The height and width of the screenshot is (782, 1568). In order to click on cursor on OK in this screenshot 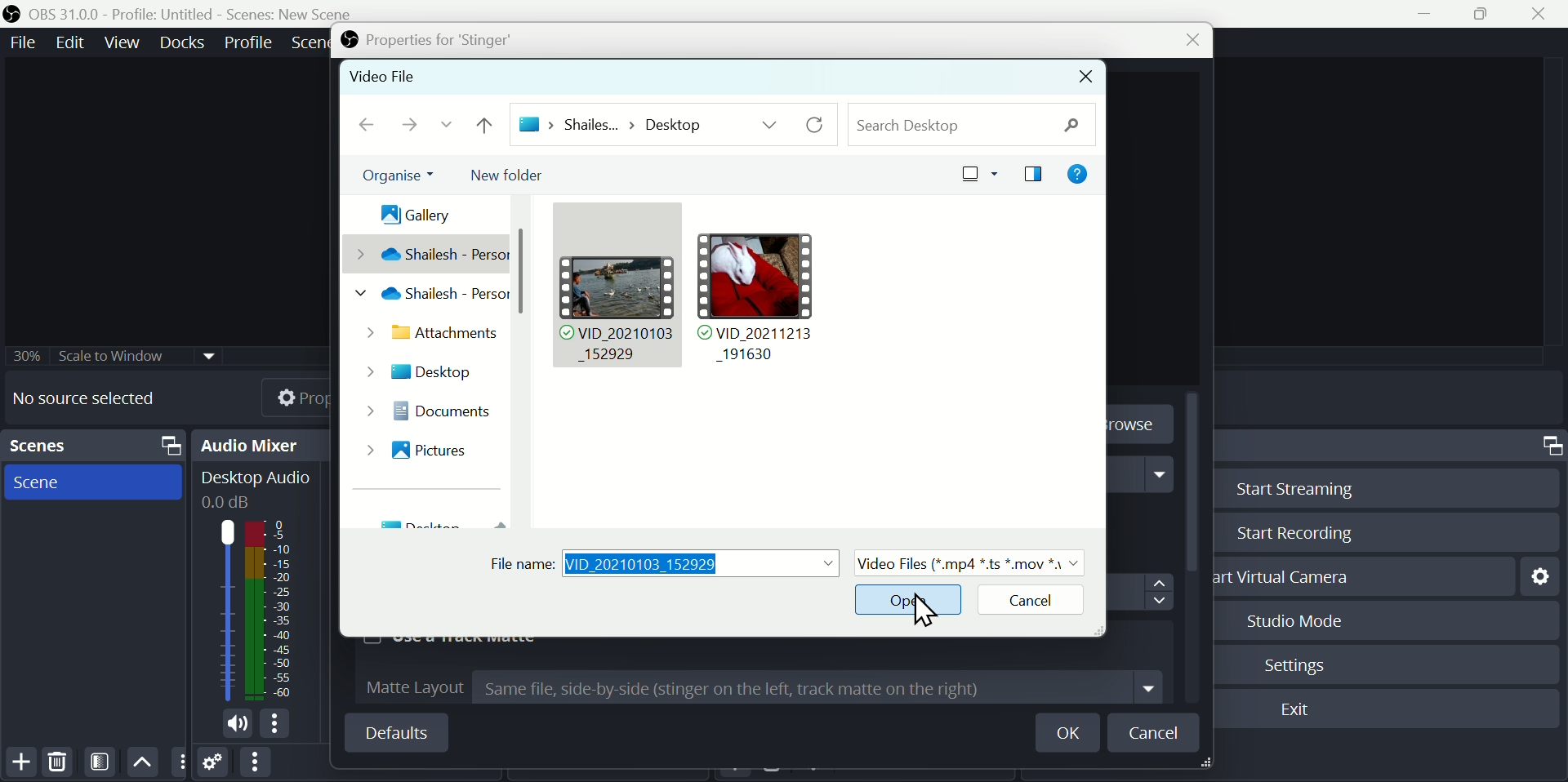, I will do `click(923, 610)`.